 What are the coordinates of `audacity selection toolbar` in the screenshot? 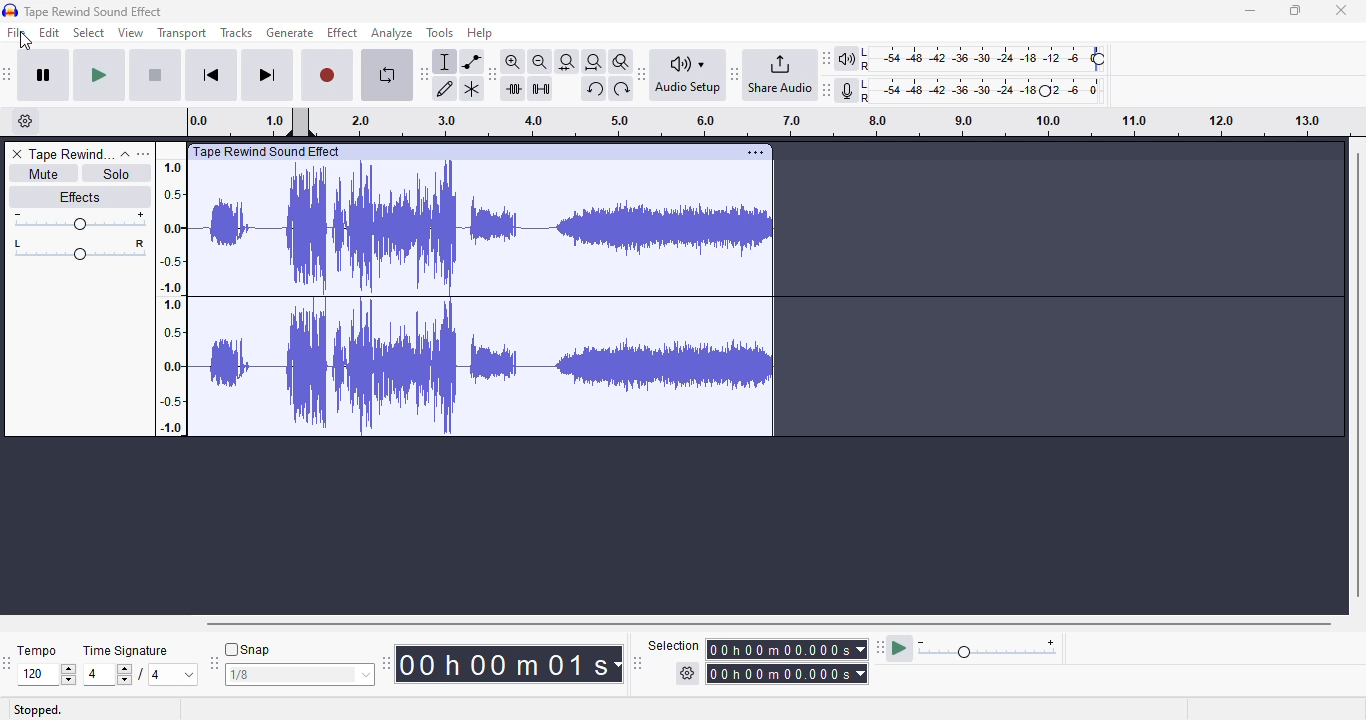 It's located at (751, 660).